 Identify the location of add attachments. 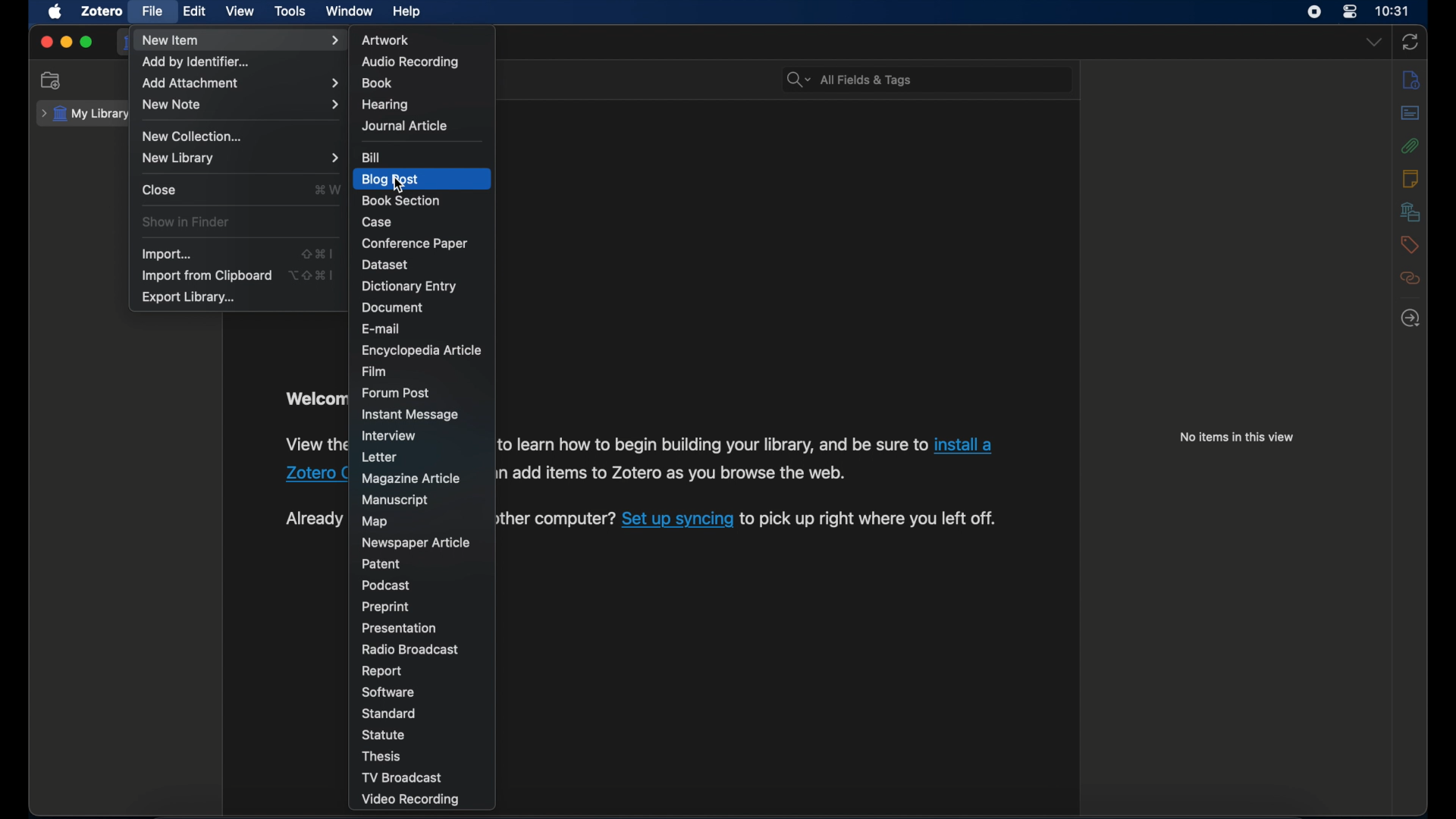
(240, 84).